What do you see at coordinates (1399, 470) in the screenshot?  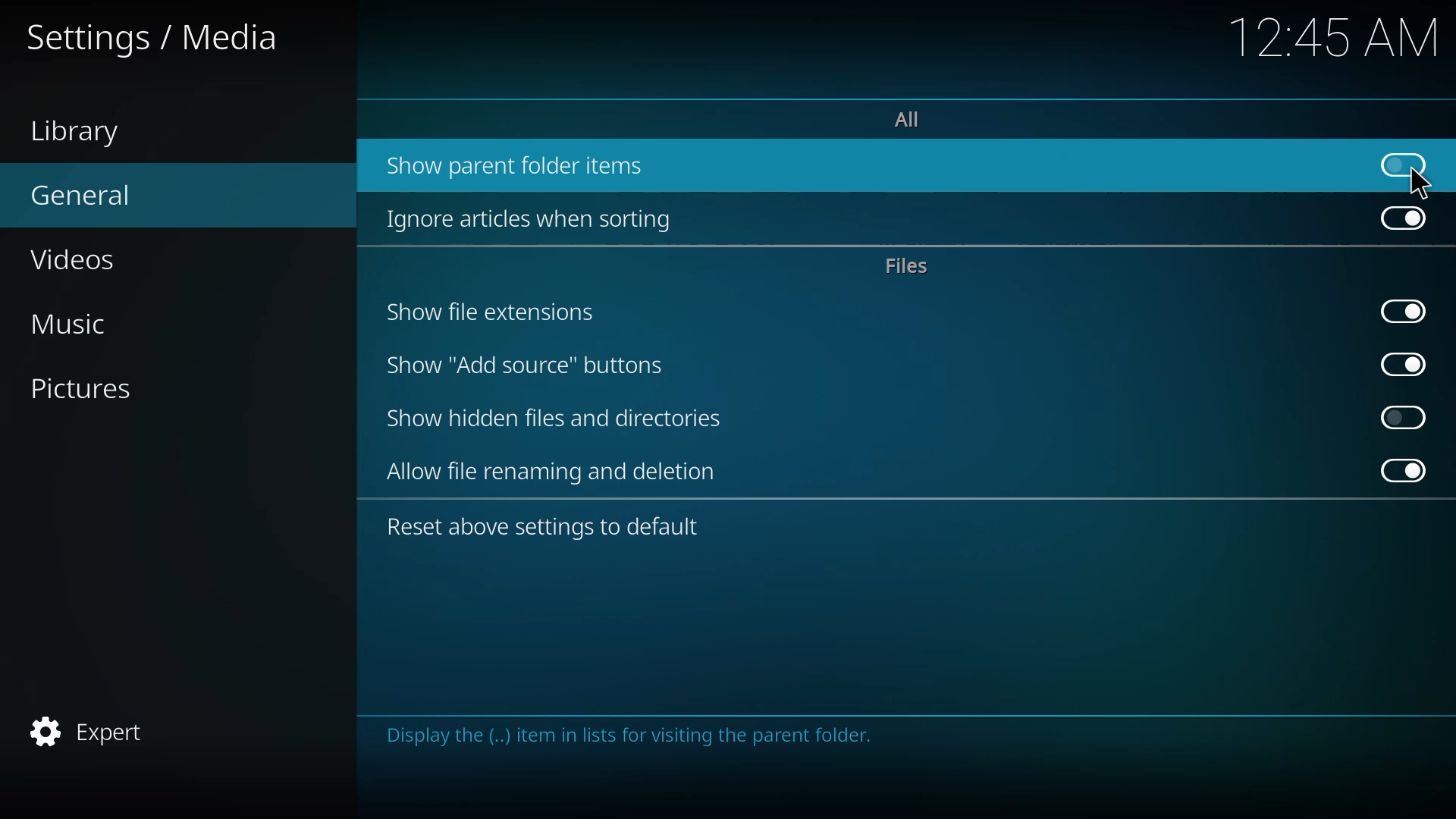 I see `enabled` at bounding box center [1399, 470].